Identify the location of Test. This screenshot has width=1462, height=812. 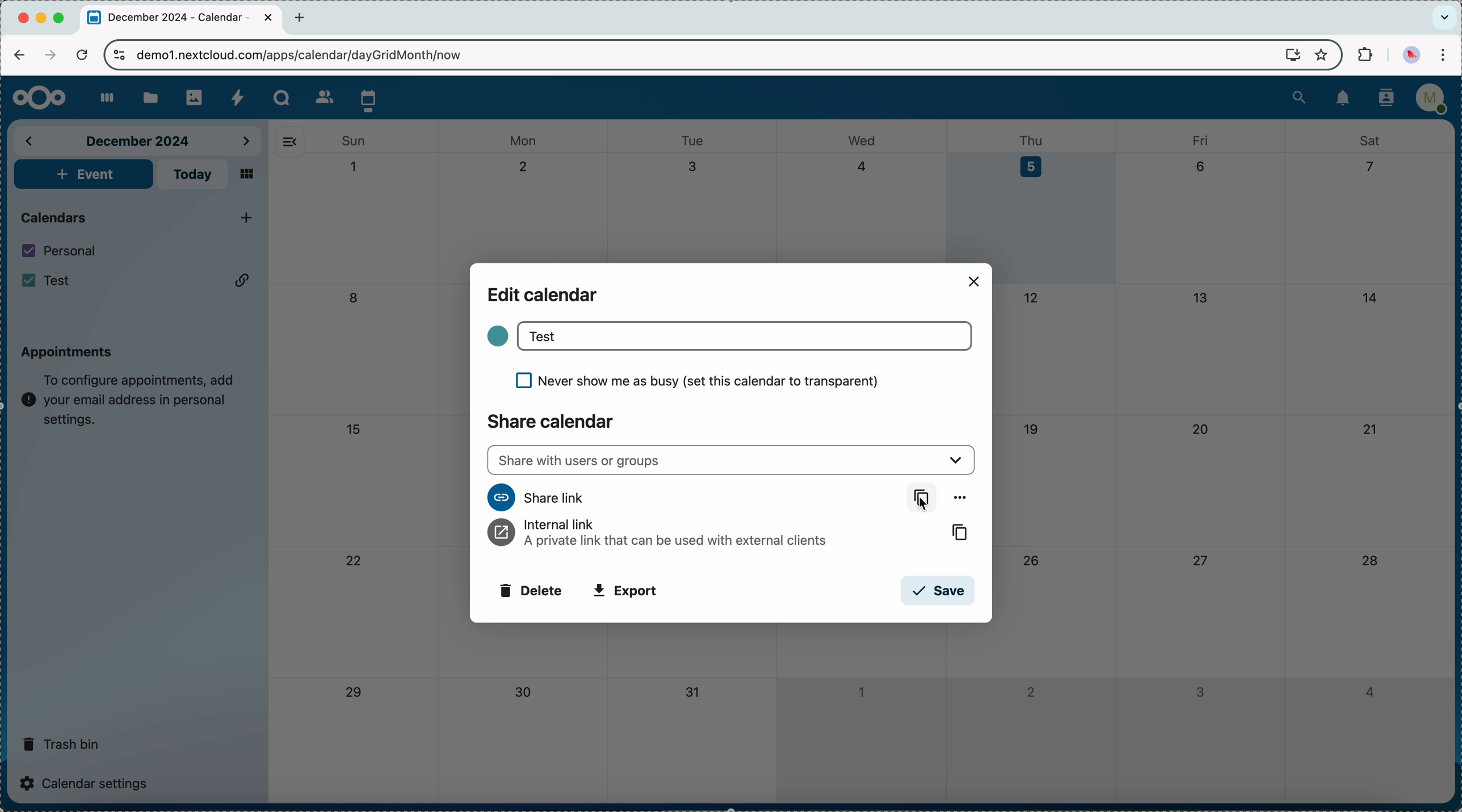
(746, 336).